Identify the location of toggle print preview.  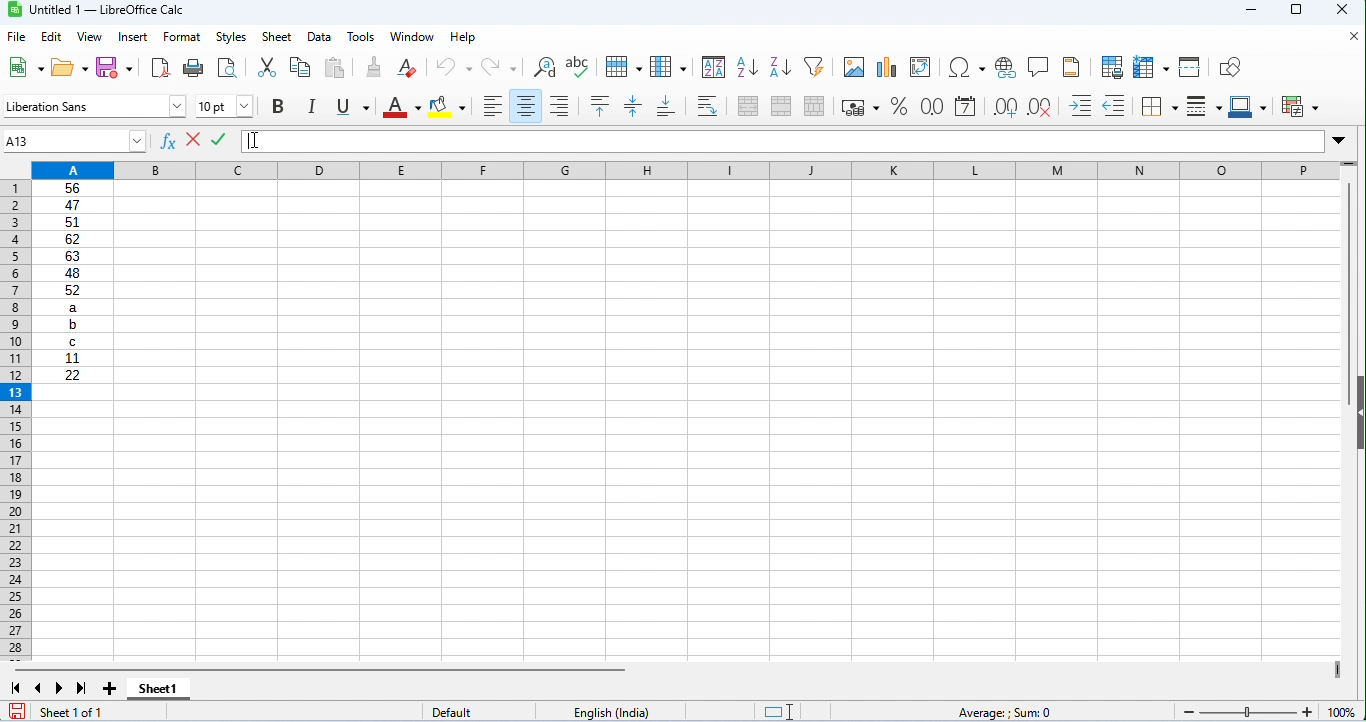
(227, 67).